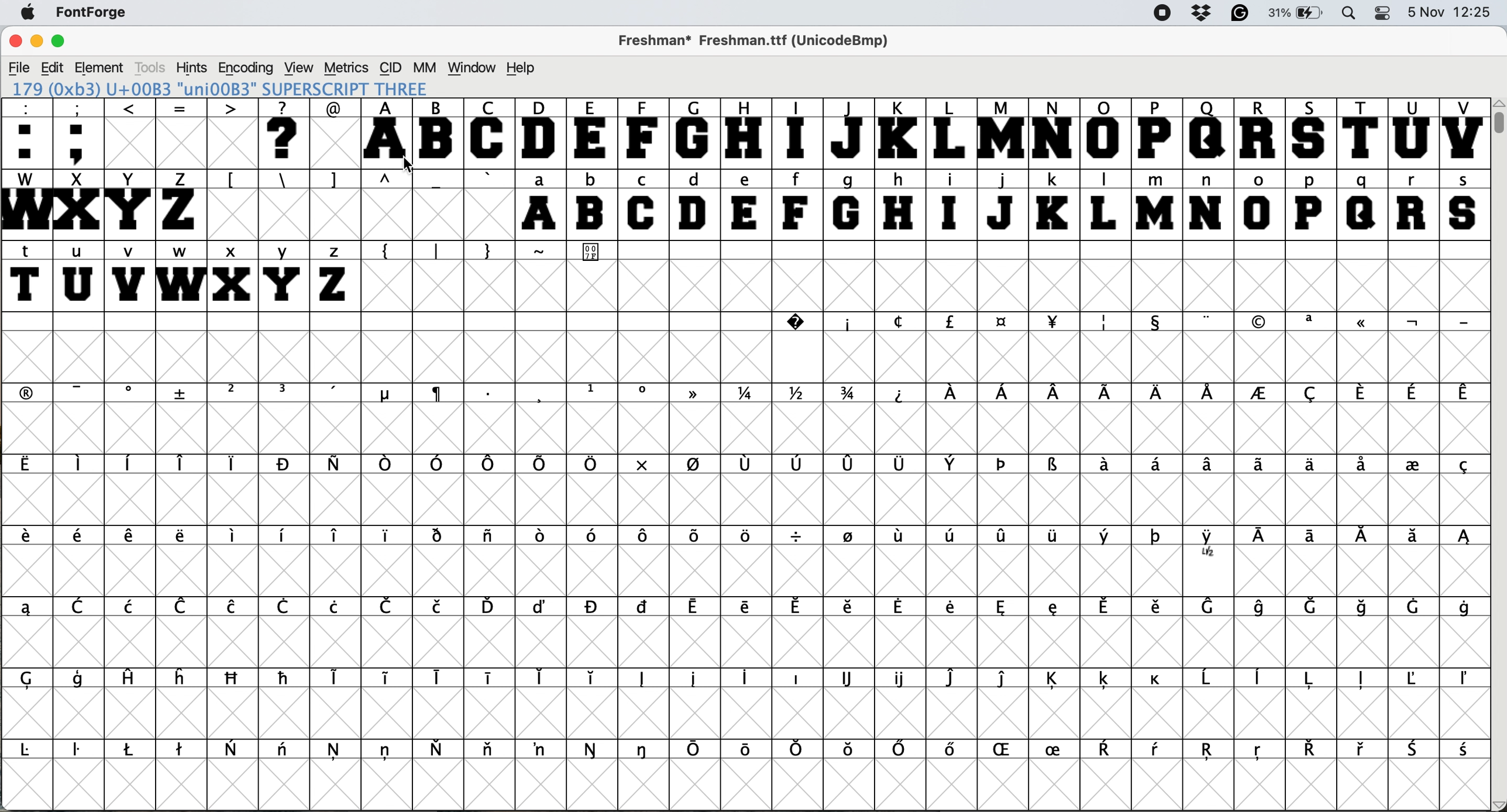 The height and width of the screenshot is (812, 1507). I want to click on symbol, so click(904, 608).